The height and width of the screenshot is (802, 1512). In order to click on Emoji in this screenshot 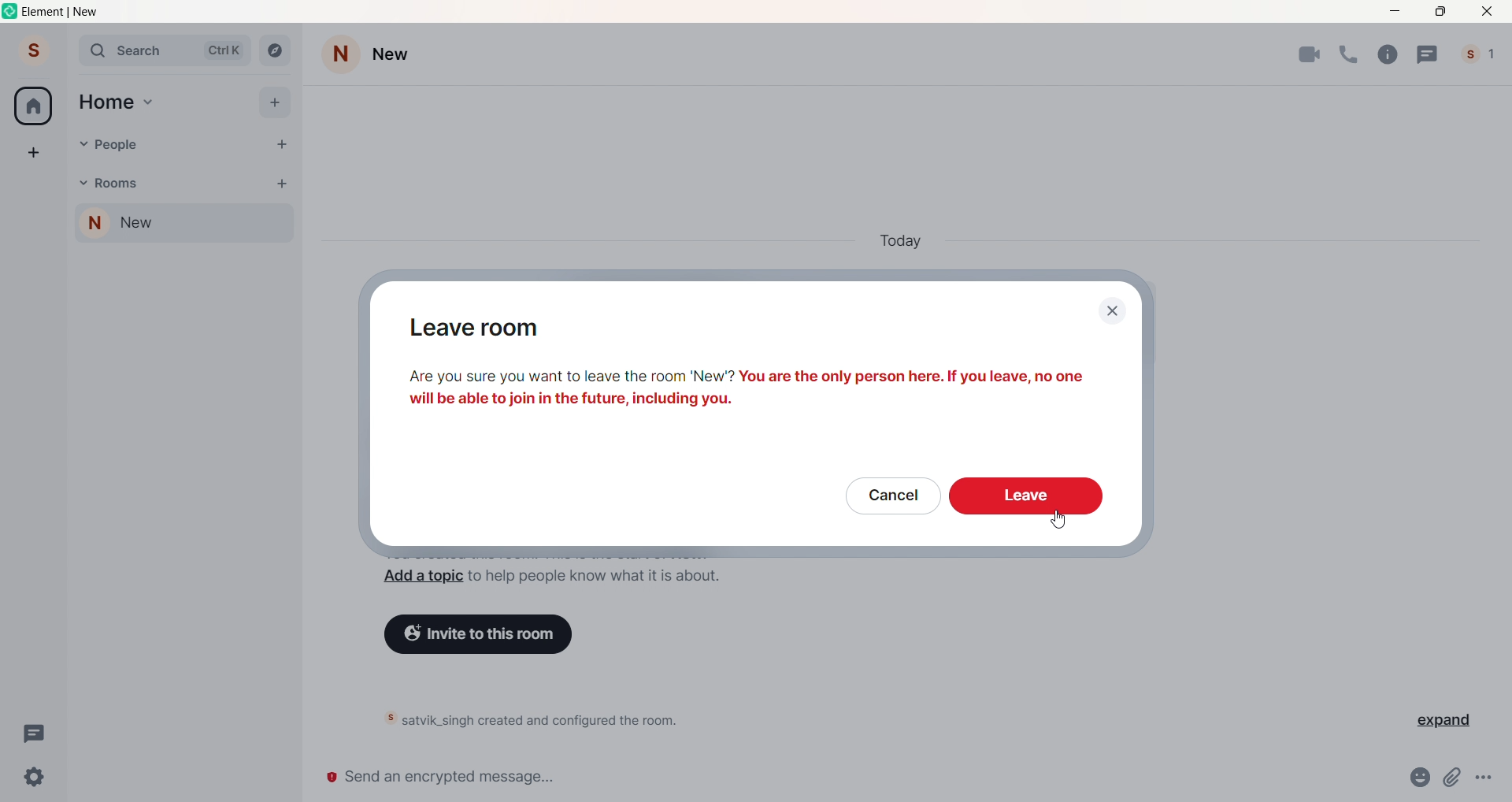, I will do `click(1424, 776)`.